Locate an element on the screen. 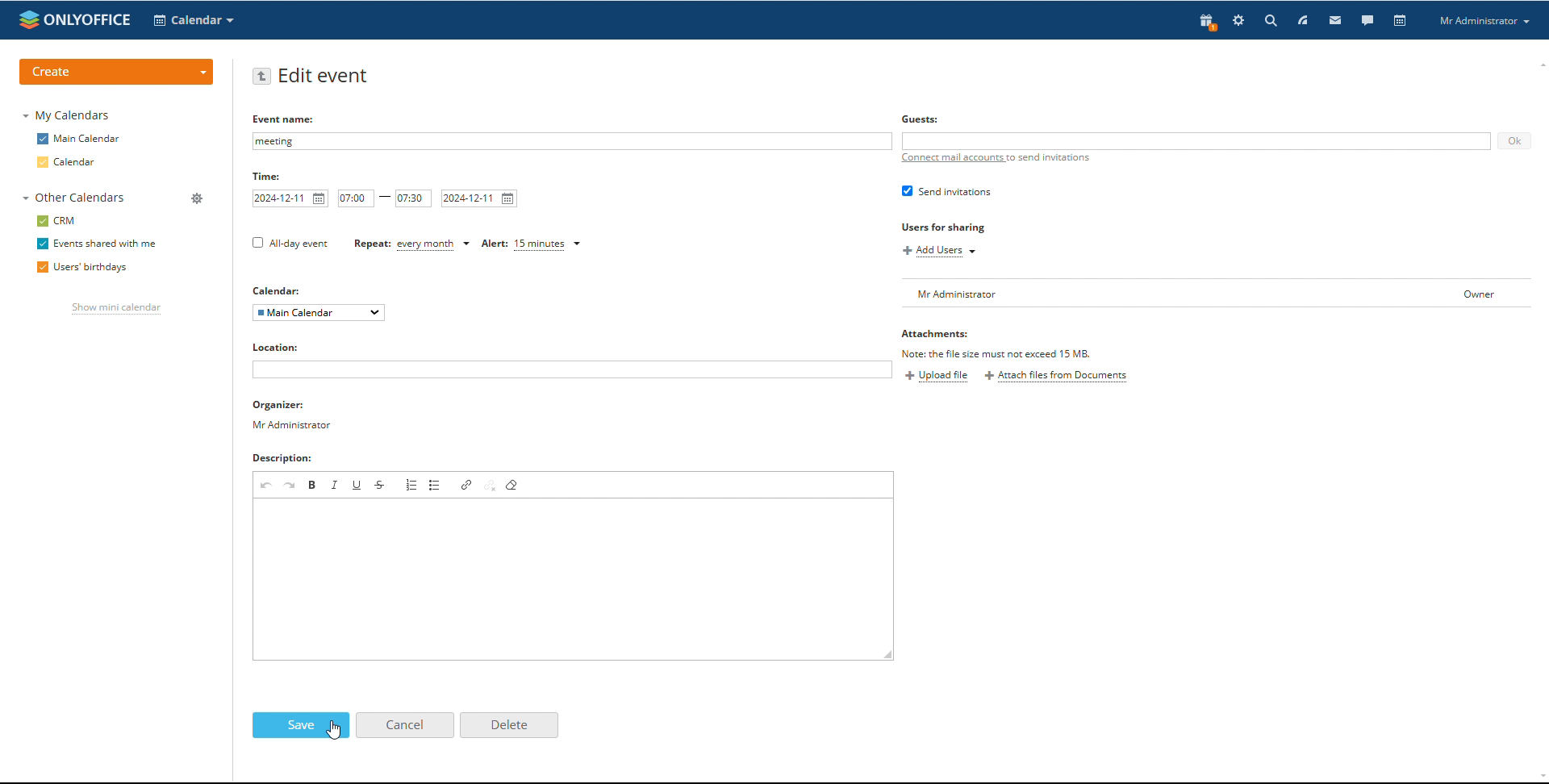  Location: is located at coordinates (284, 348).